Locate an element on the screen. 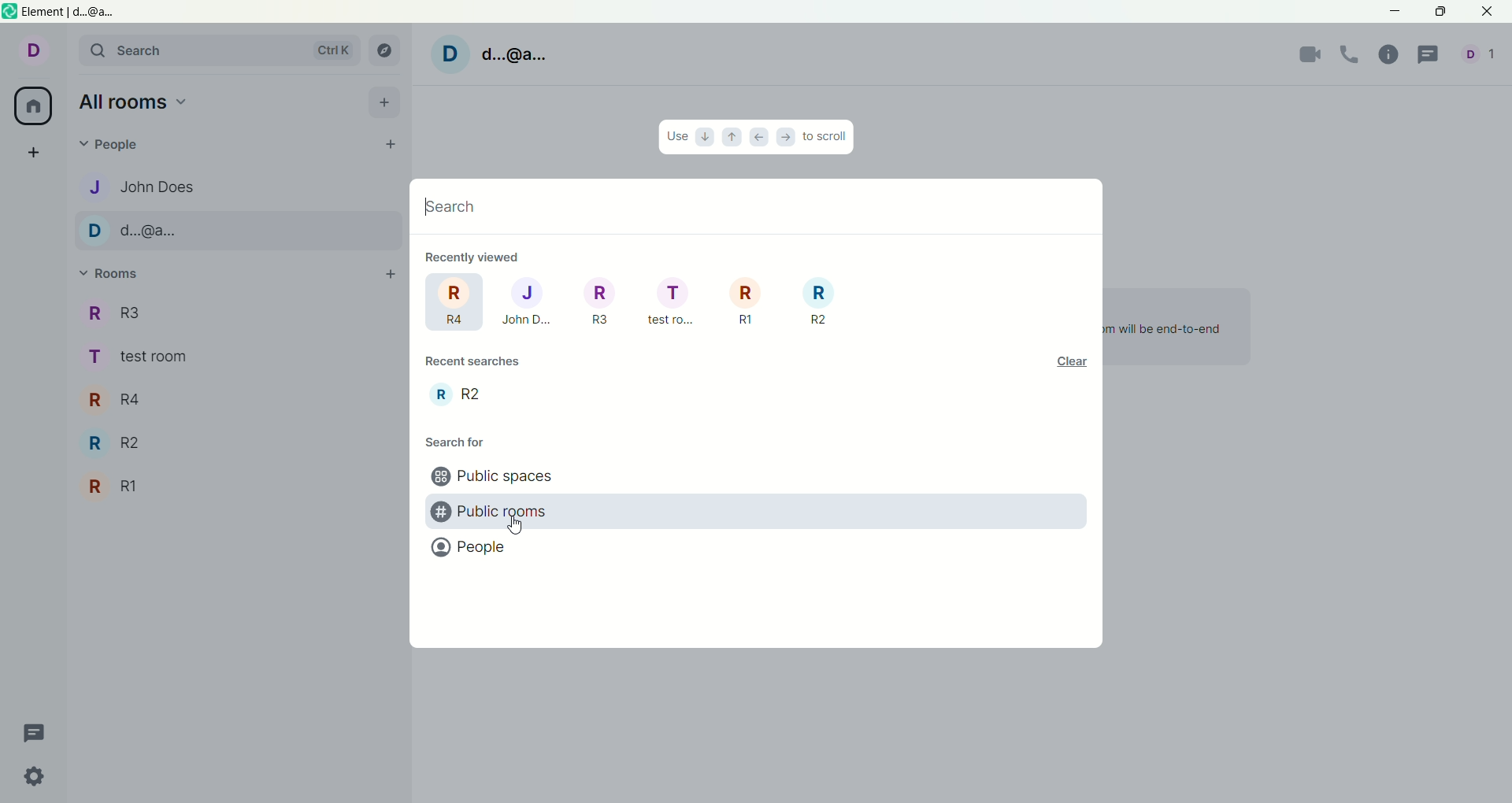 This screenshot has height=803, width=1512. public spaces is located at coordinates (493, 475).